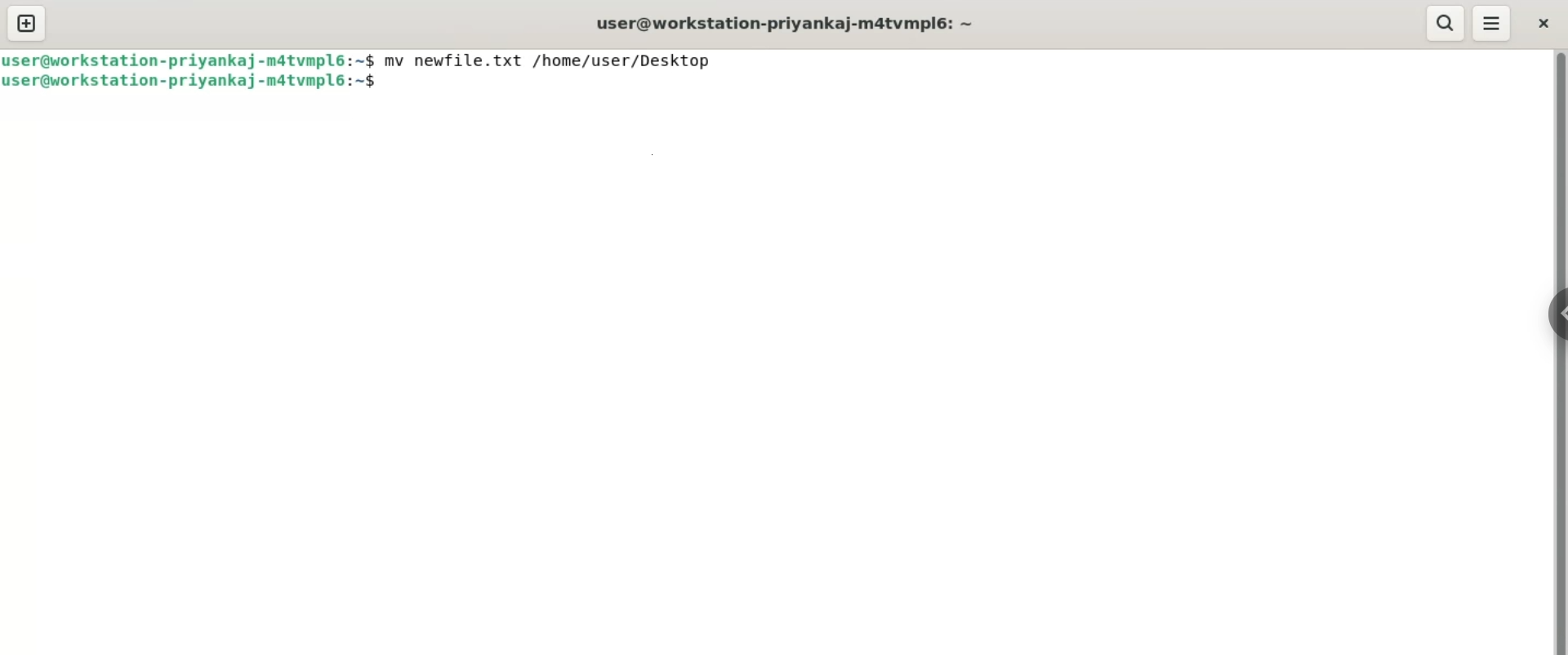 This screenshot has height=655, width=1568. I want to click on menu, so click(1494, 25).